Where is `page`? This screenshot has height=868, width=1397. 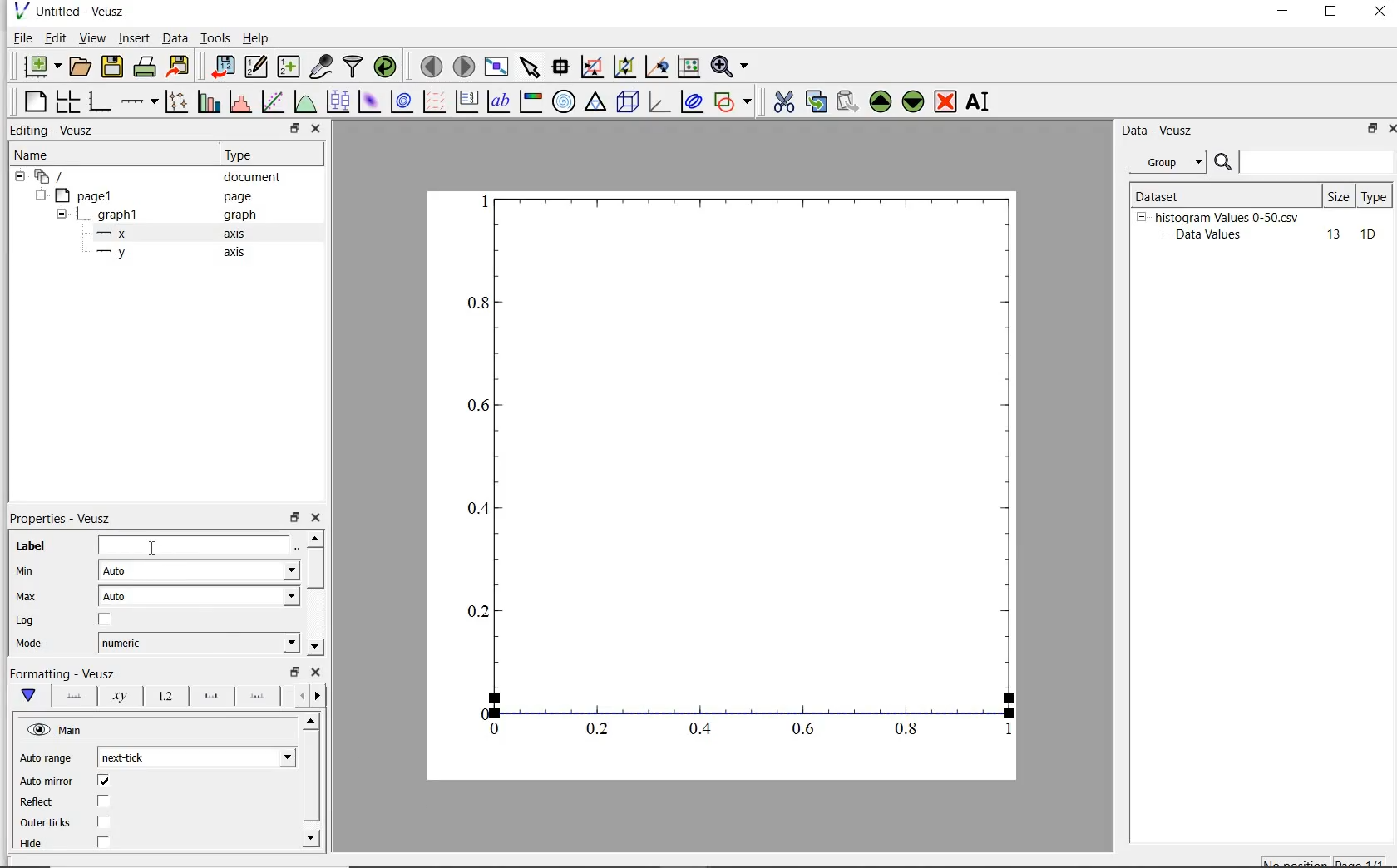 page is located at coordinates (246, 197).